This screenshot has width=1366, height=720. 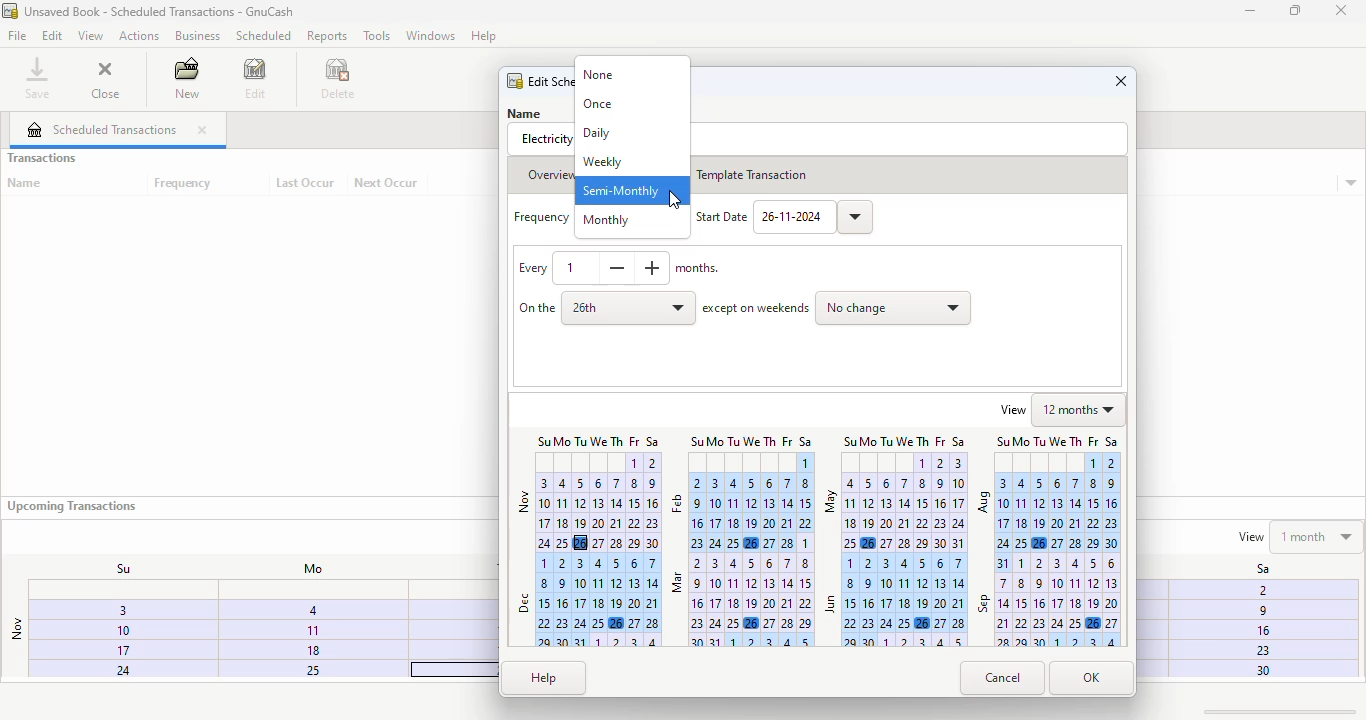 What do you see at coordinates (750, 175) in the screenshot?
I see `template transaction` at bounding box center [750, 175].